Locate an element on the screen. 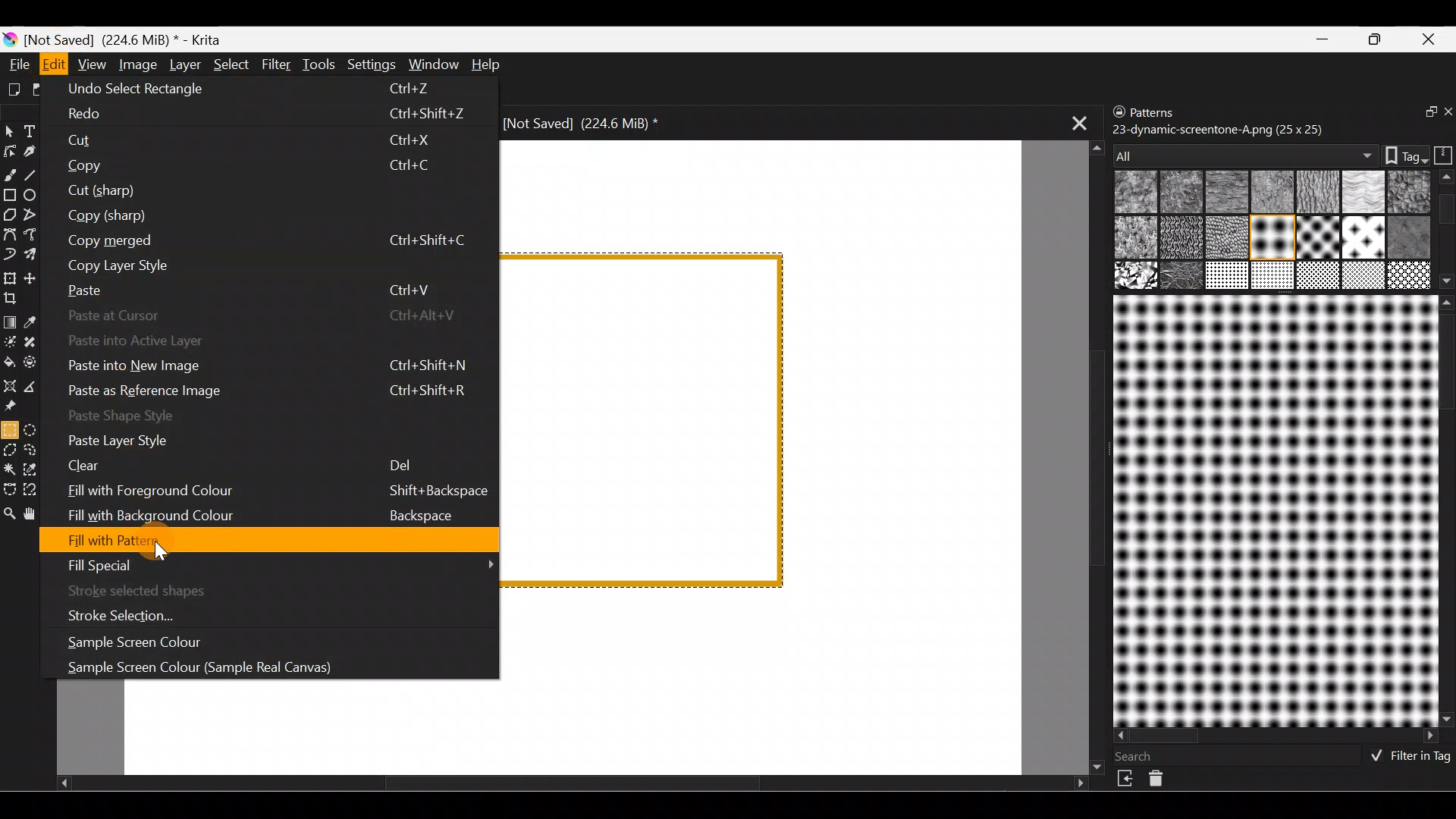 The height and width of the screenshot is (819, 1456). Tags is located at coordinates (1398, 154).